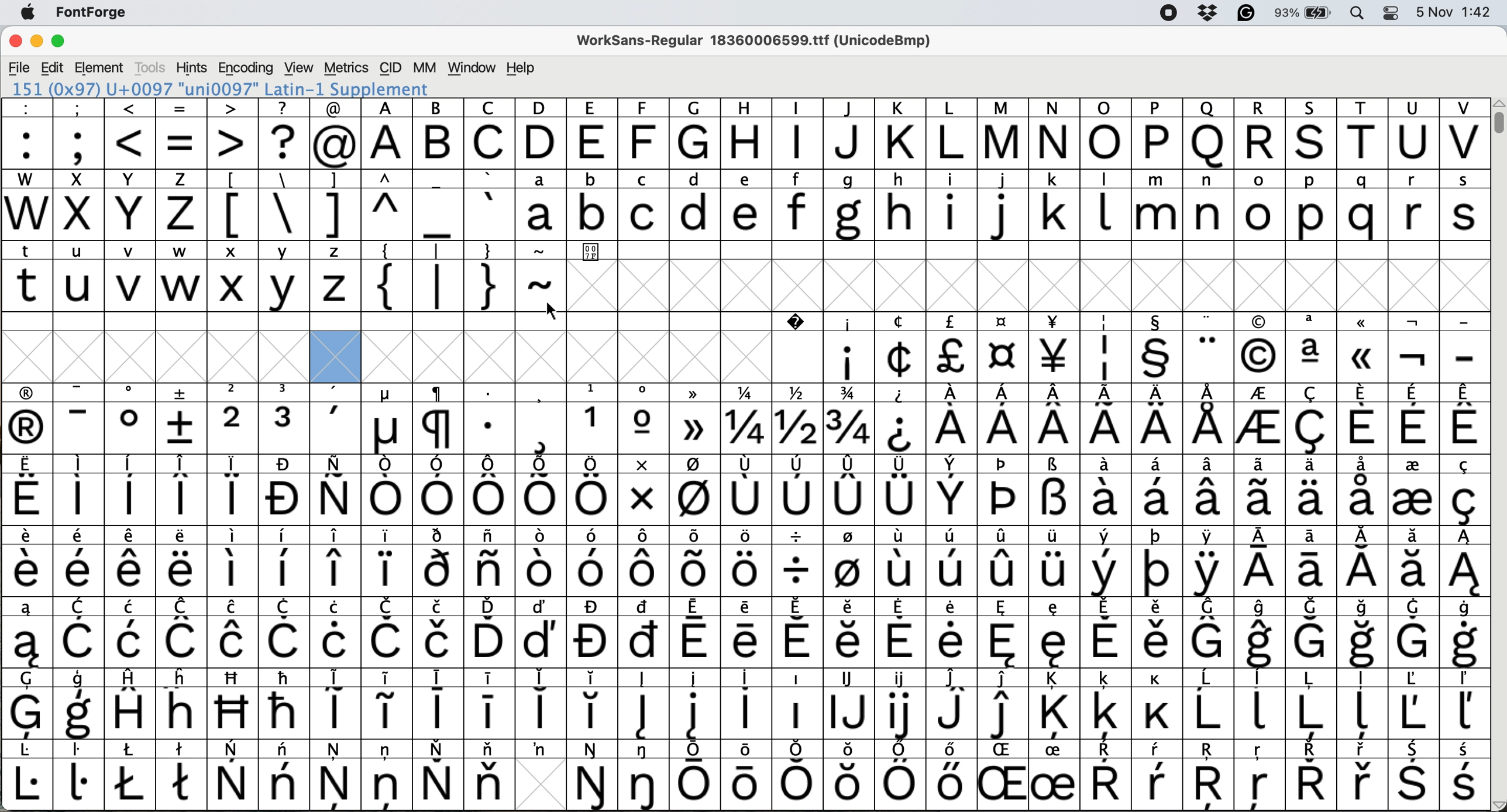 The width and height of the screenshot is (1507, 812). What do you see at coordinates (1365, 135) in the screenshot?
I see `T` at bounding box center [1365, 135].